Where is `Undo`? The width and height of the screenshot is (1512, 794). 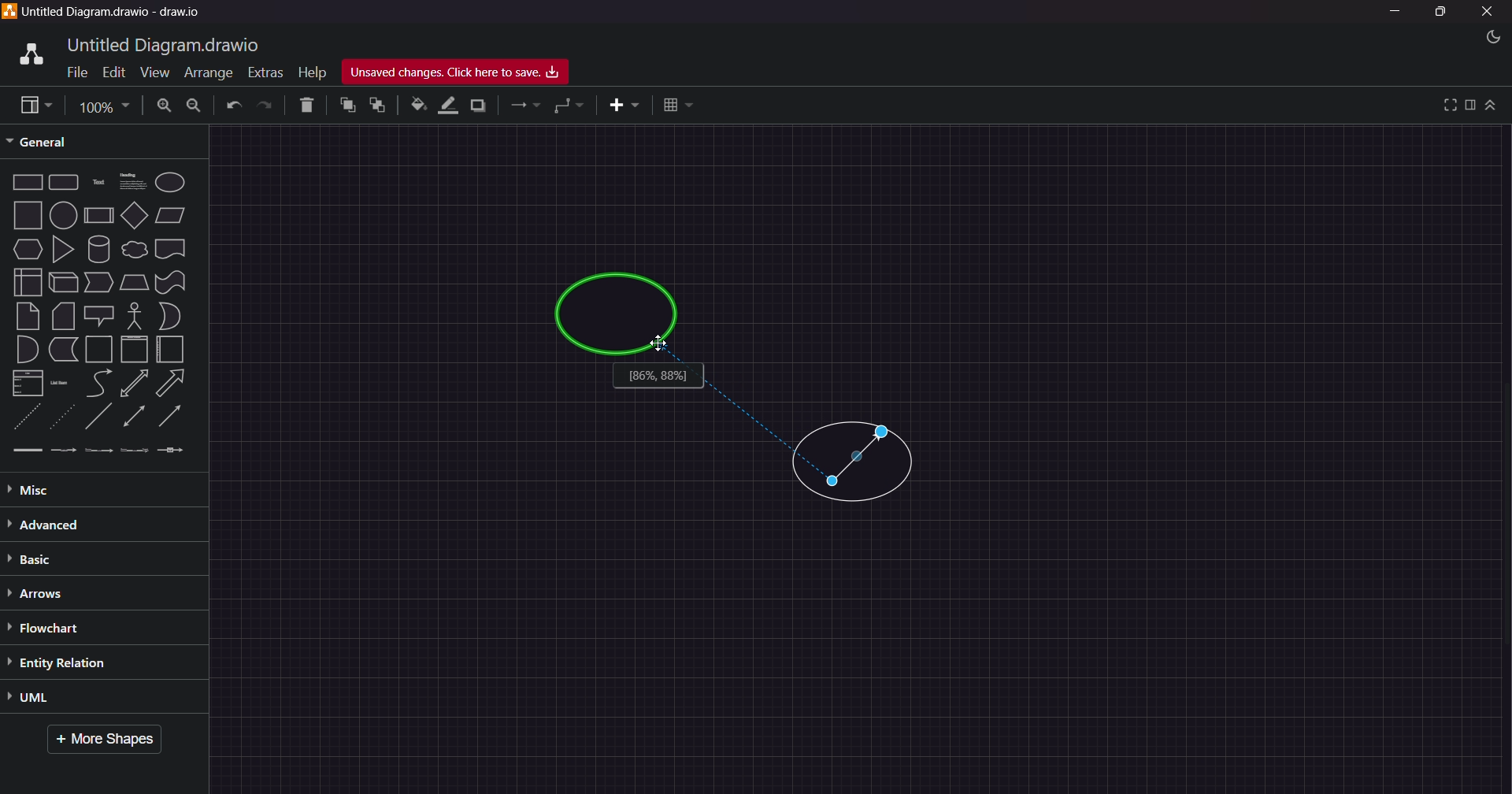 Undo is located at coordinates (233, 106).